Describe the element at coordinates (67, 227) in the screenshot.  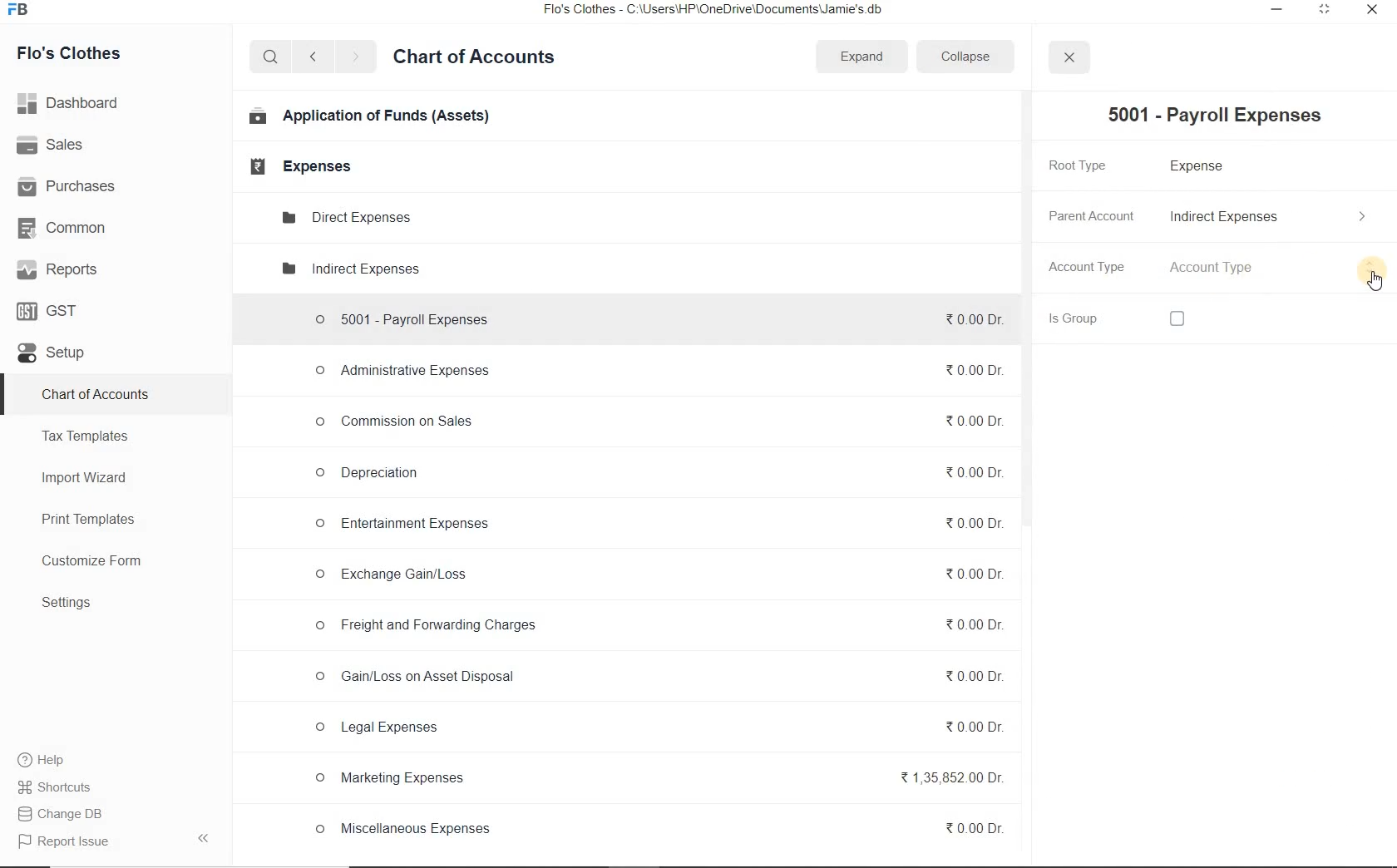
I see `Common` at that location.